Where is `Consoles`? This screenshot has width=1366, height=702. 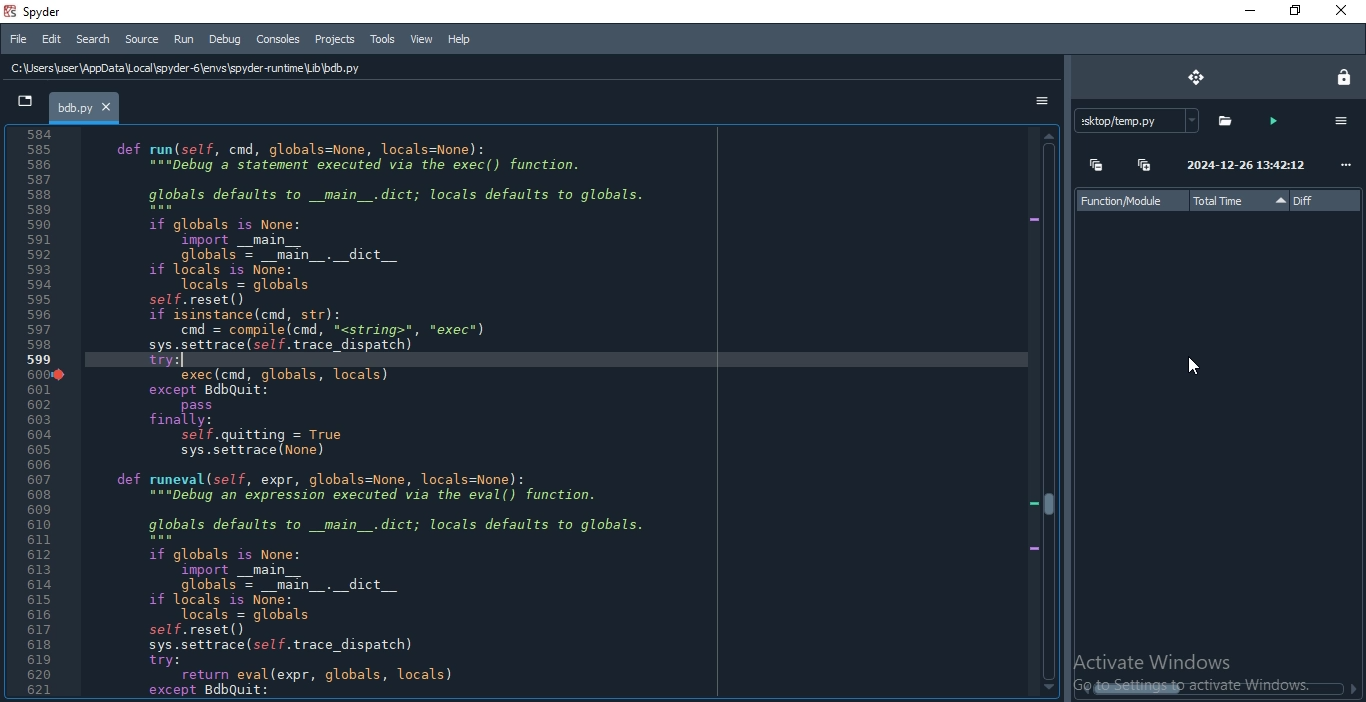 Consoles is located at coordinates (277, 39).